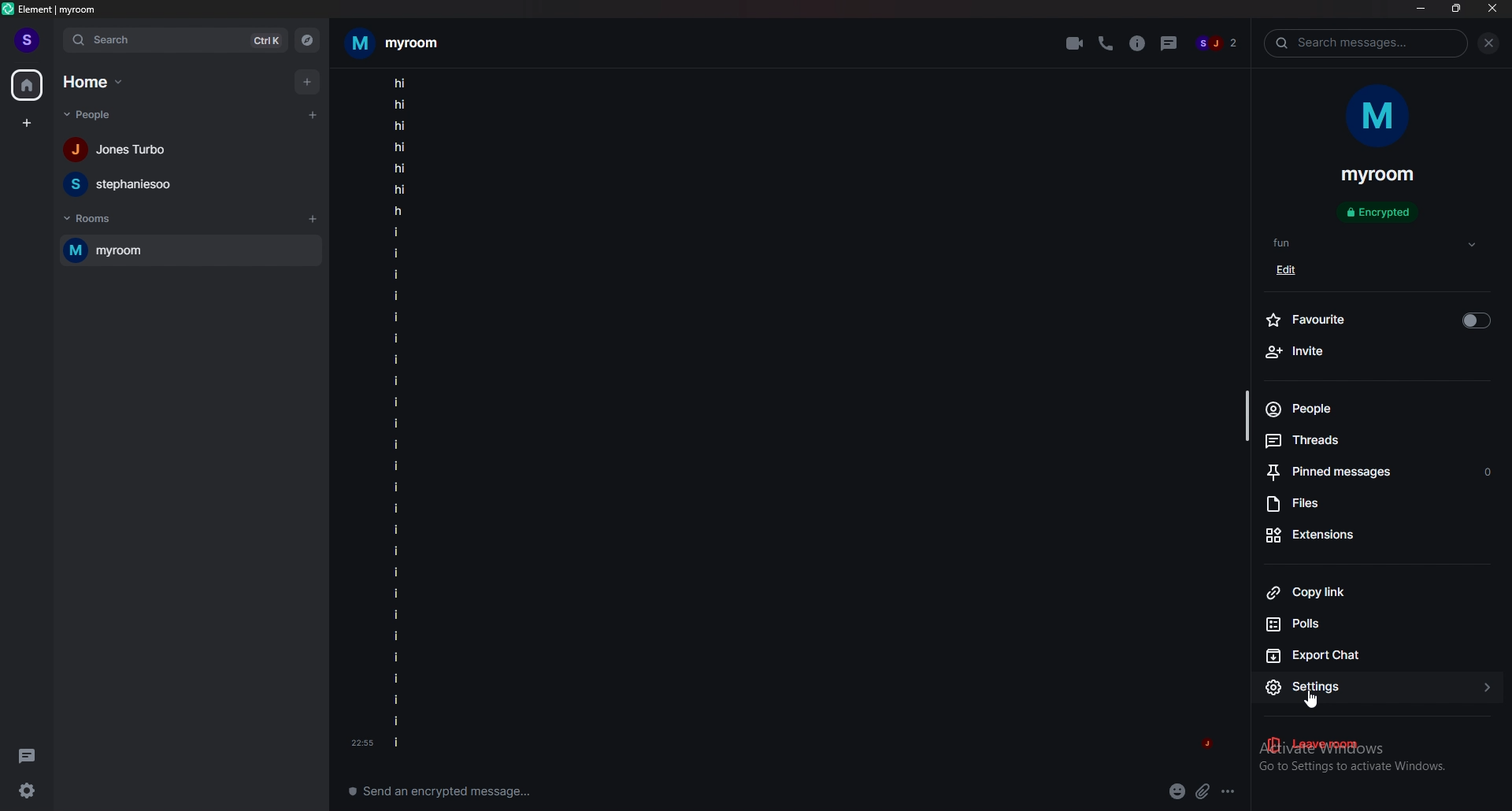 This screenshot has width=1512, height=811. Describe the element at coordinates (1377, 318) in the screenshot. I see `favourite` at that location.